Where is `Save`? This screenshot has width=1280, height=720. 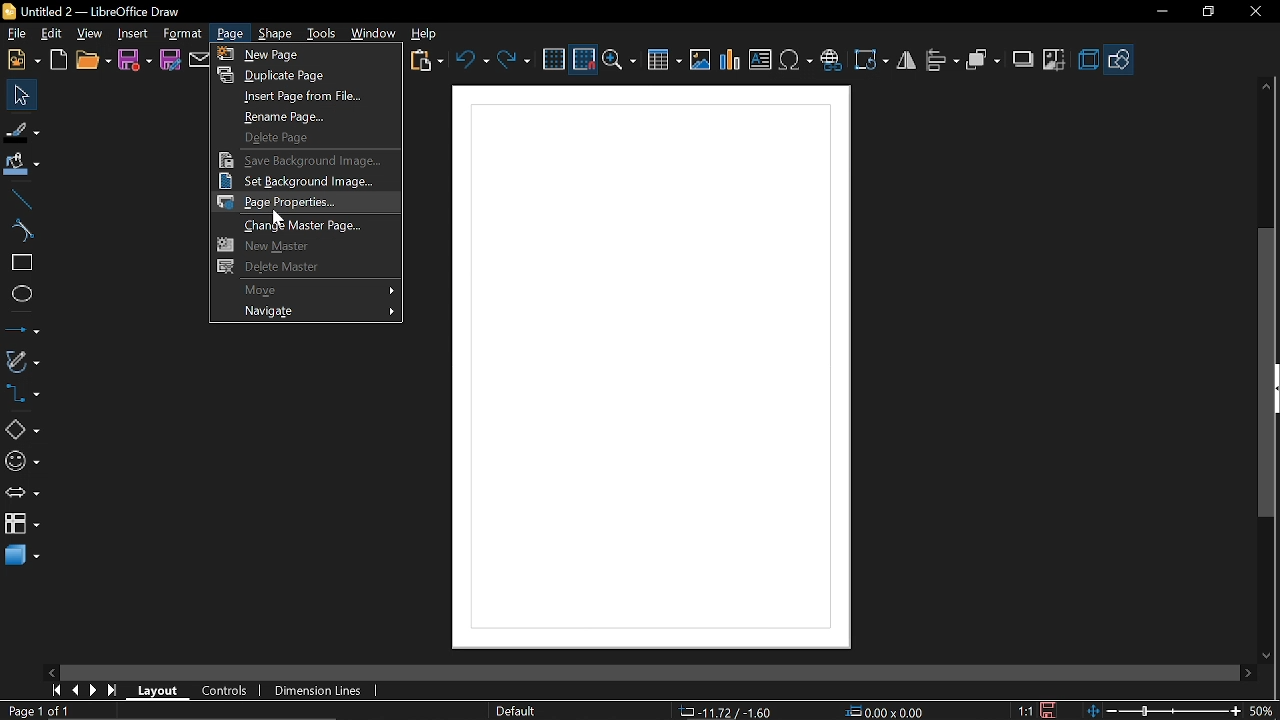 Save is located at coordinates (134, 61).